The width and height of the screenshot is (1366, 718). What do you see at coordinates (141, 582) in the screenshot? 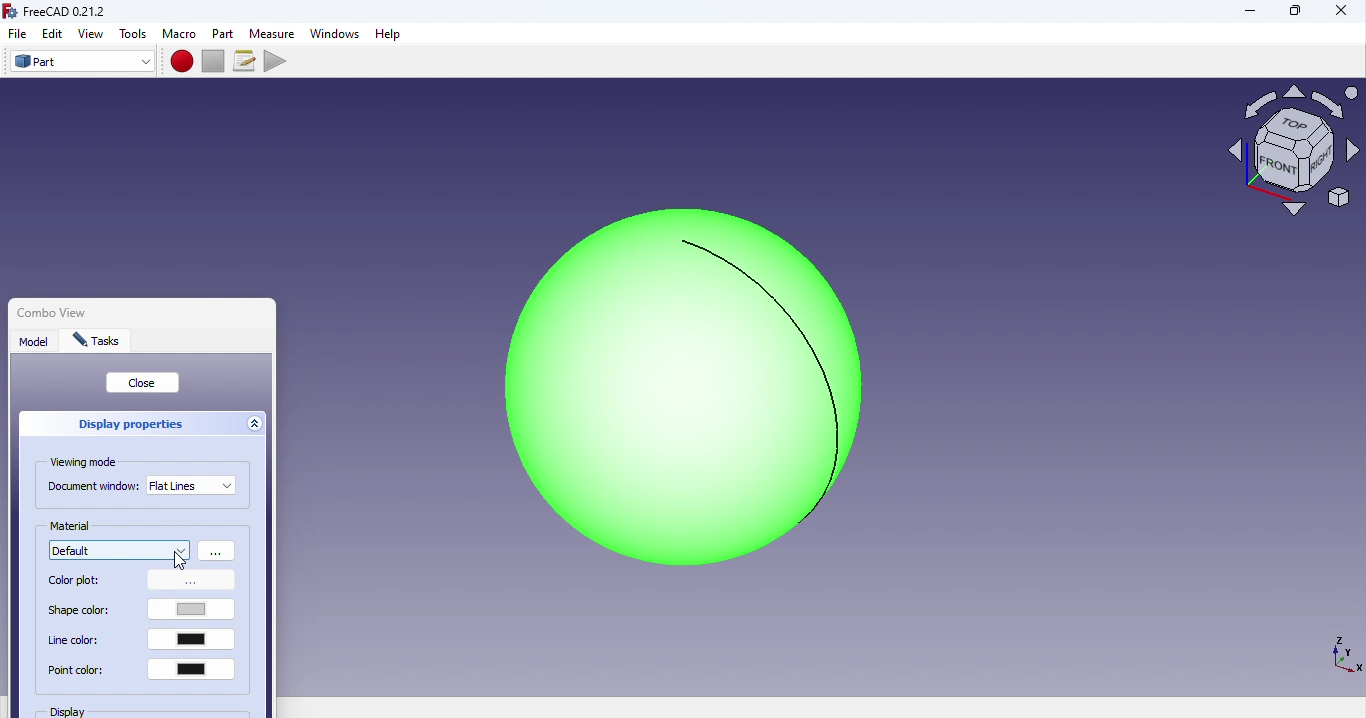
I see `Color plot` at bounding box center [141, 582].